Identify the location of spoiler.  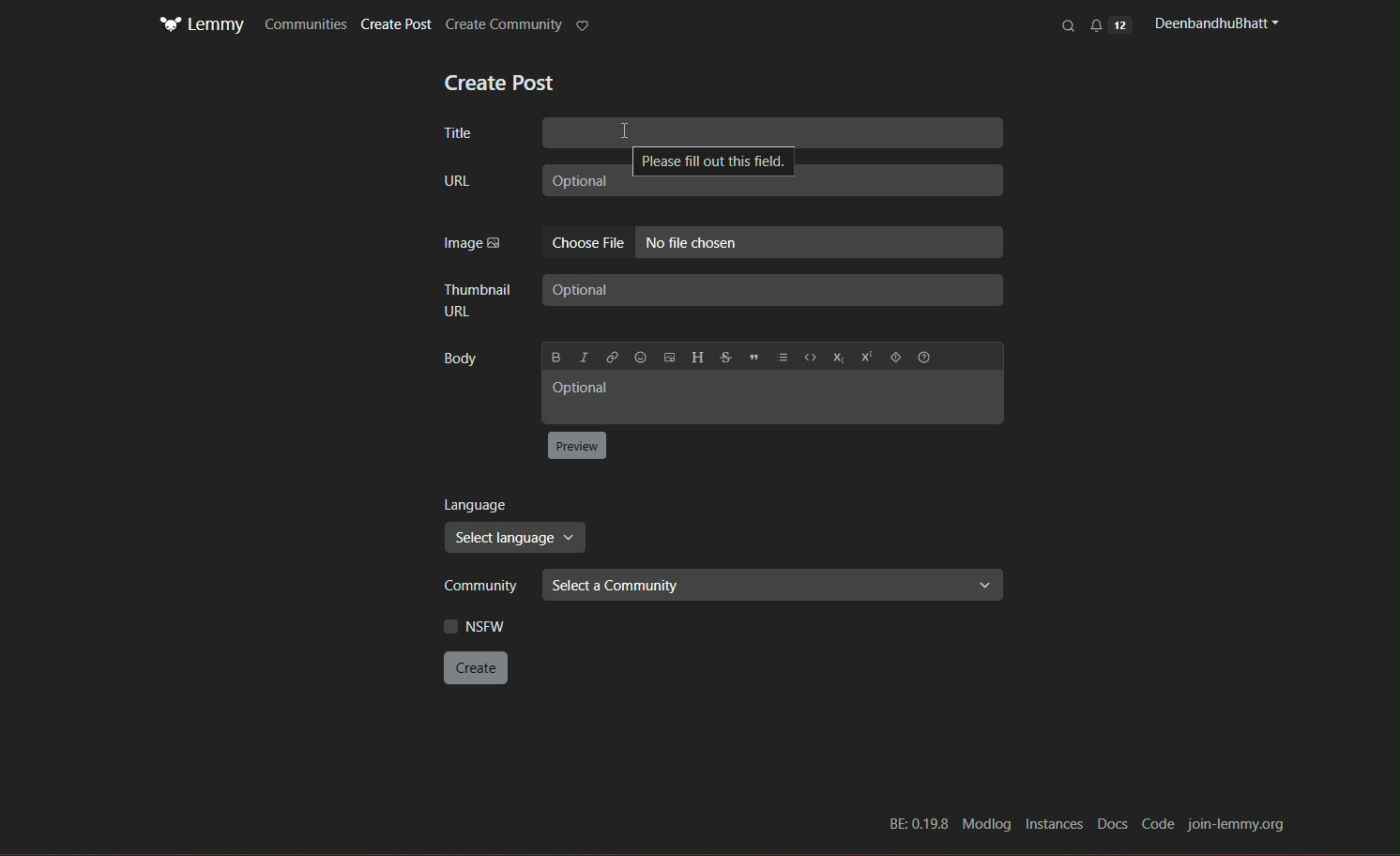
(895, 356).